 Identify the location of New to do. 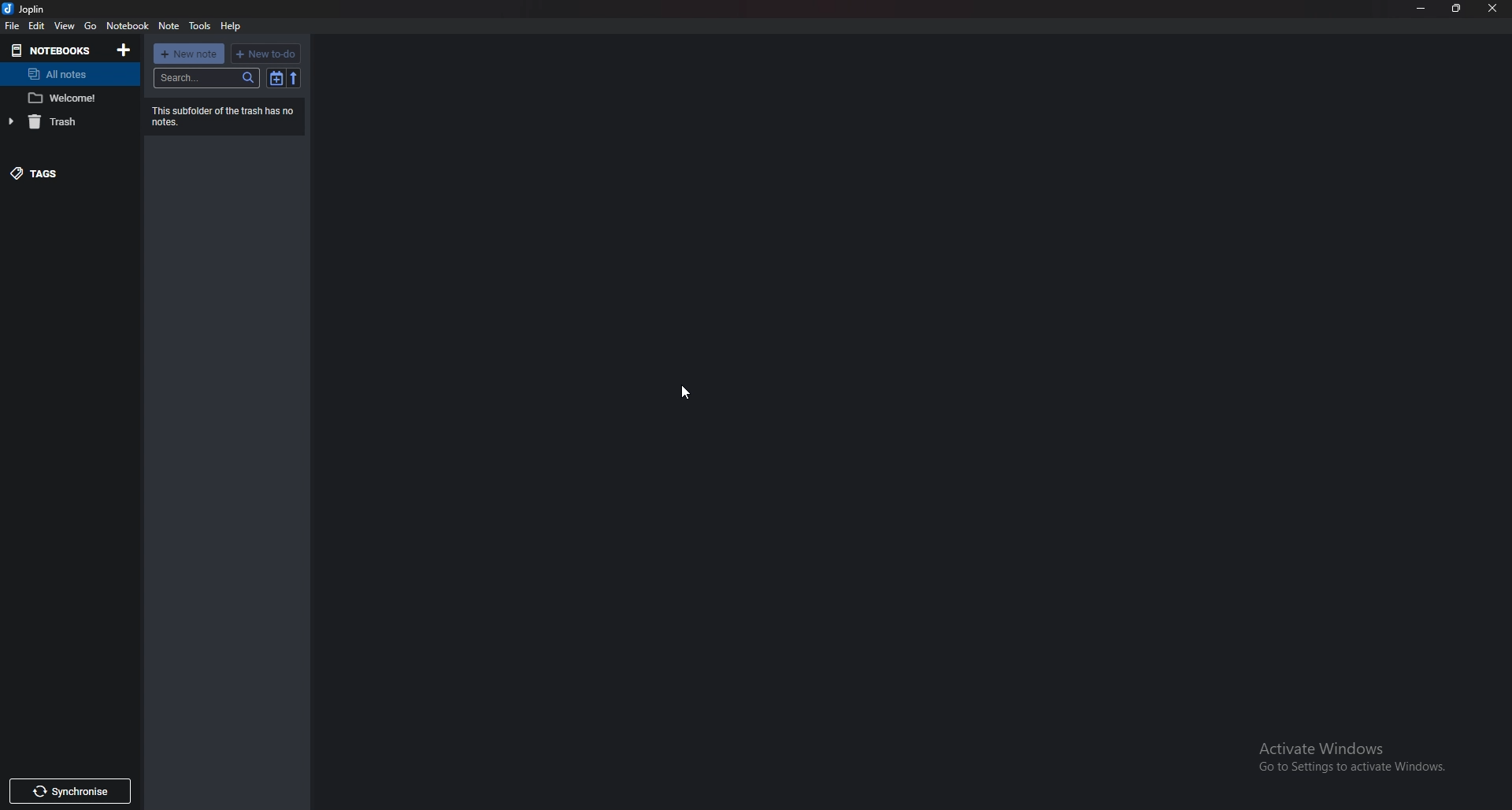
(266, 54).